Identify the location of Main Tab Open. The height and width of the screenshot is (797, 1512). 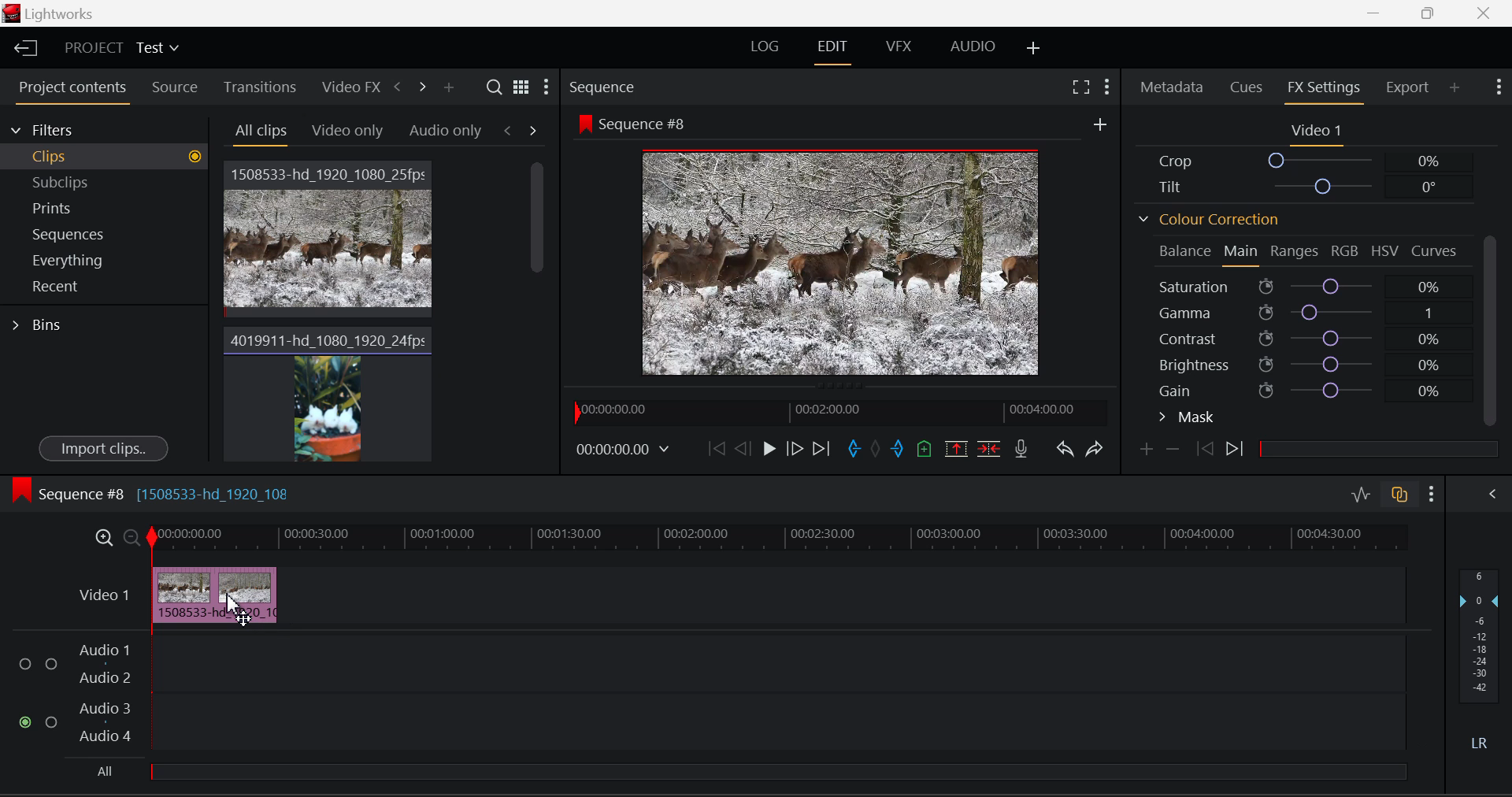
(1242, 254).